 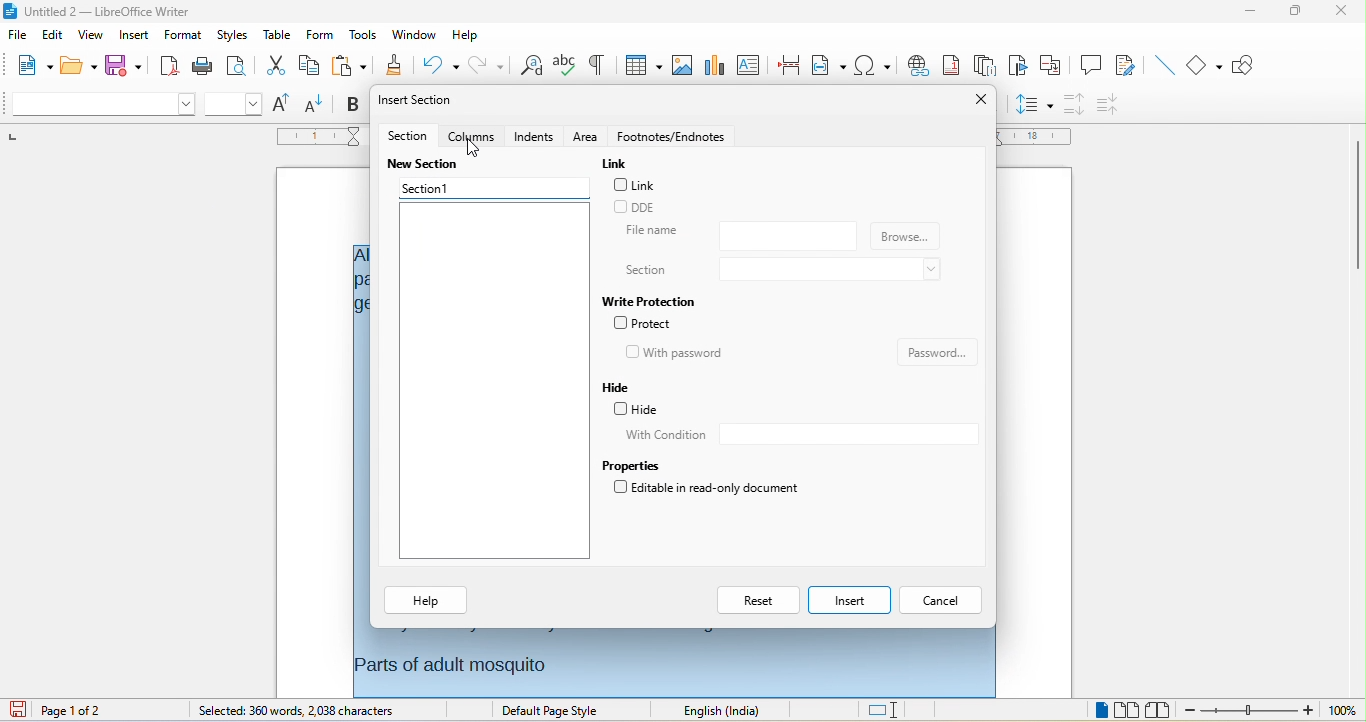 What do you see at coordinates (1167, 65) in the screenshot?
I see `insert line` at bounding box center [1167, 65].